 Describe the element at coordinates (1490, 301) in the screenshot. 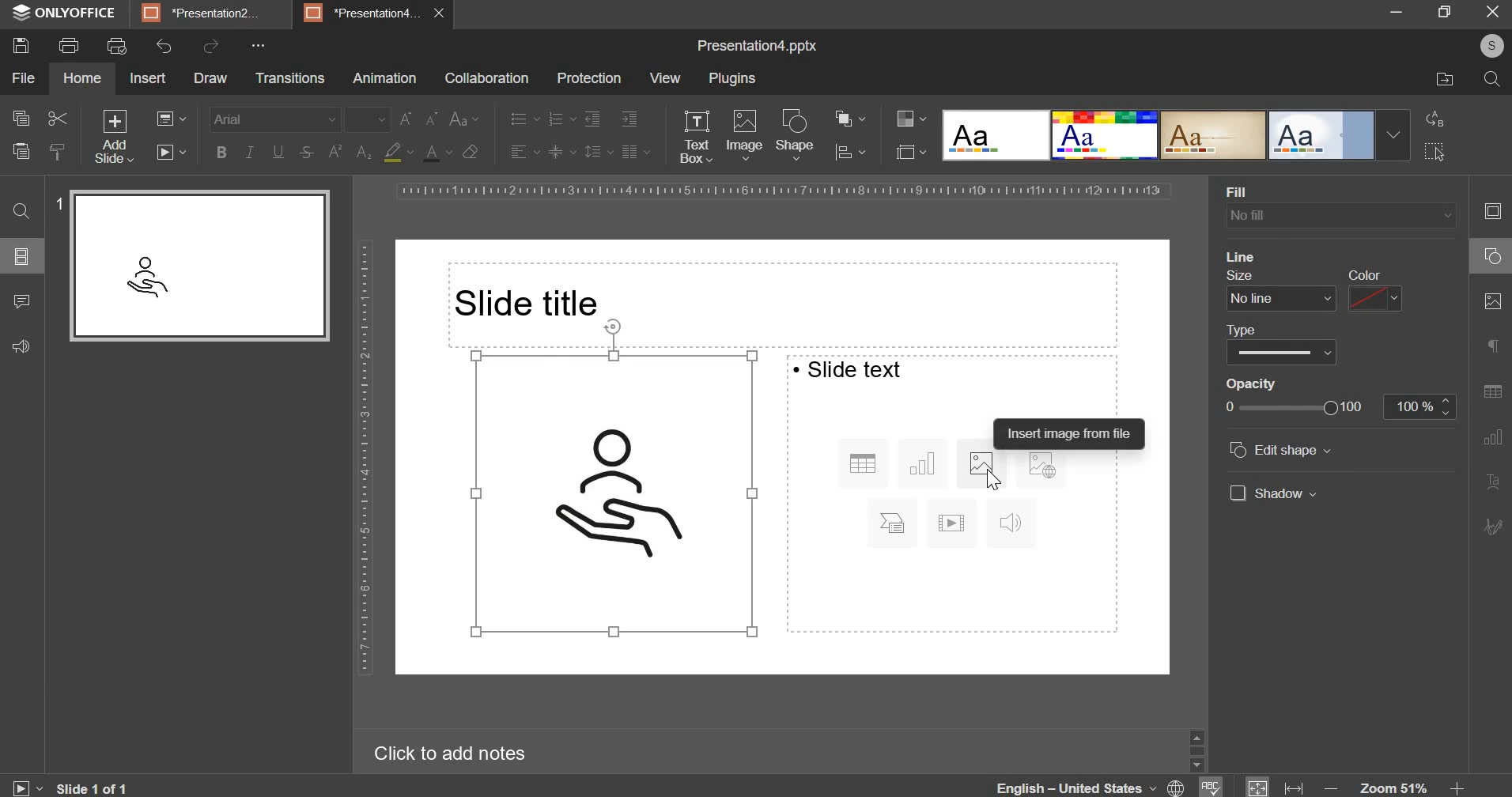

I see `image setting` at that location.